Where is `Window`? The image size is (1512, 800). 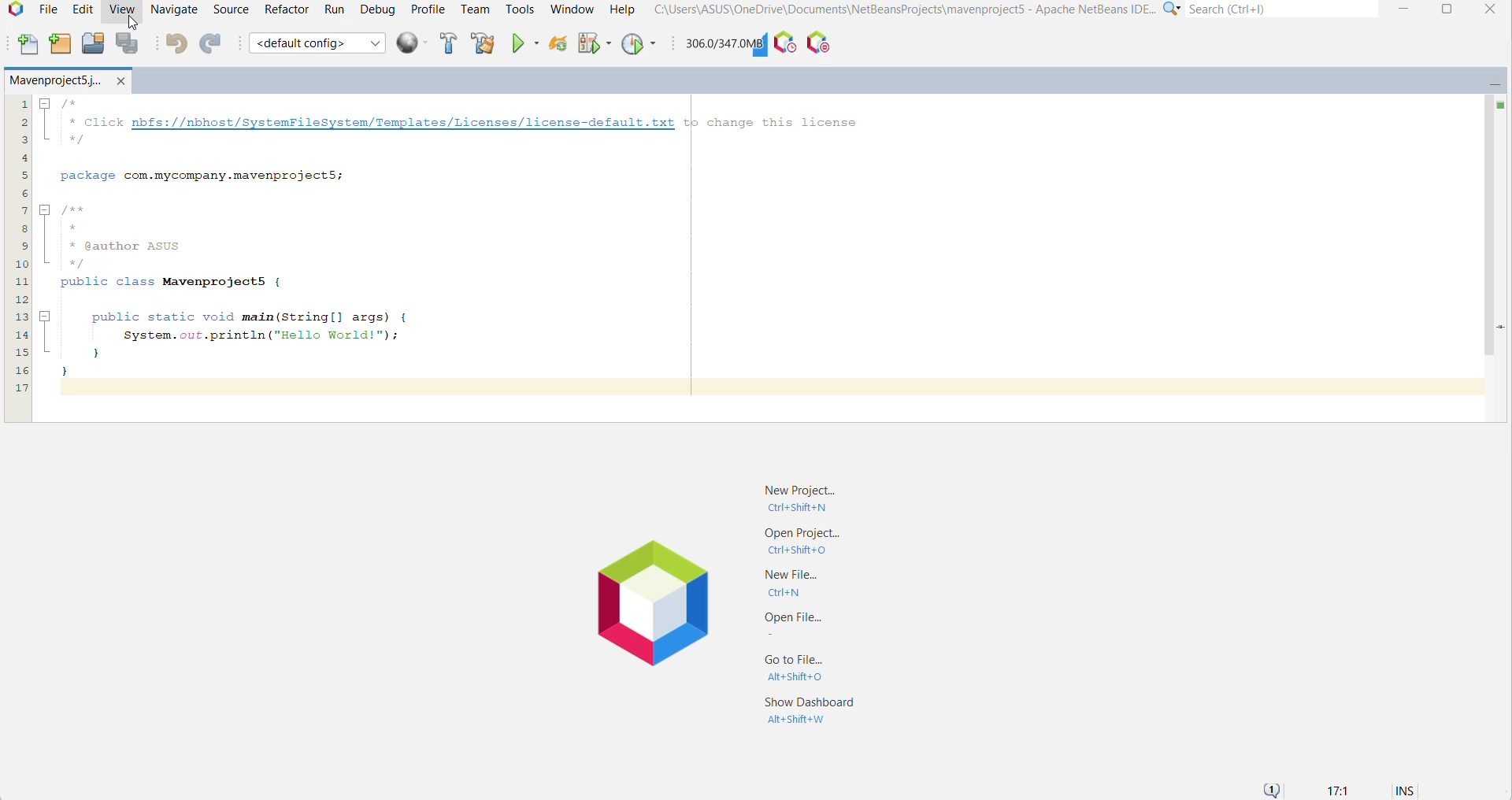
Window is located at coordinates (571, 9).